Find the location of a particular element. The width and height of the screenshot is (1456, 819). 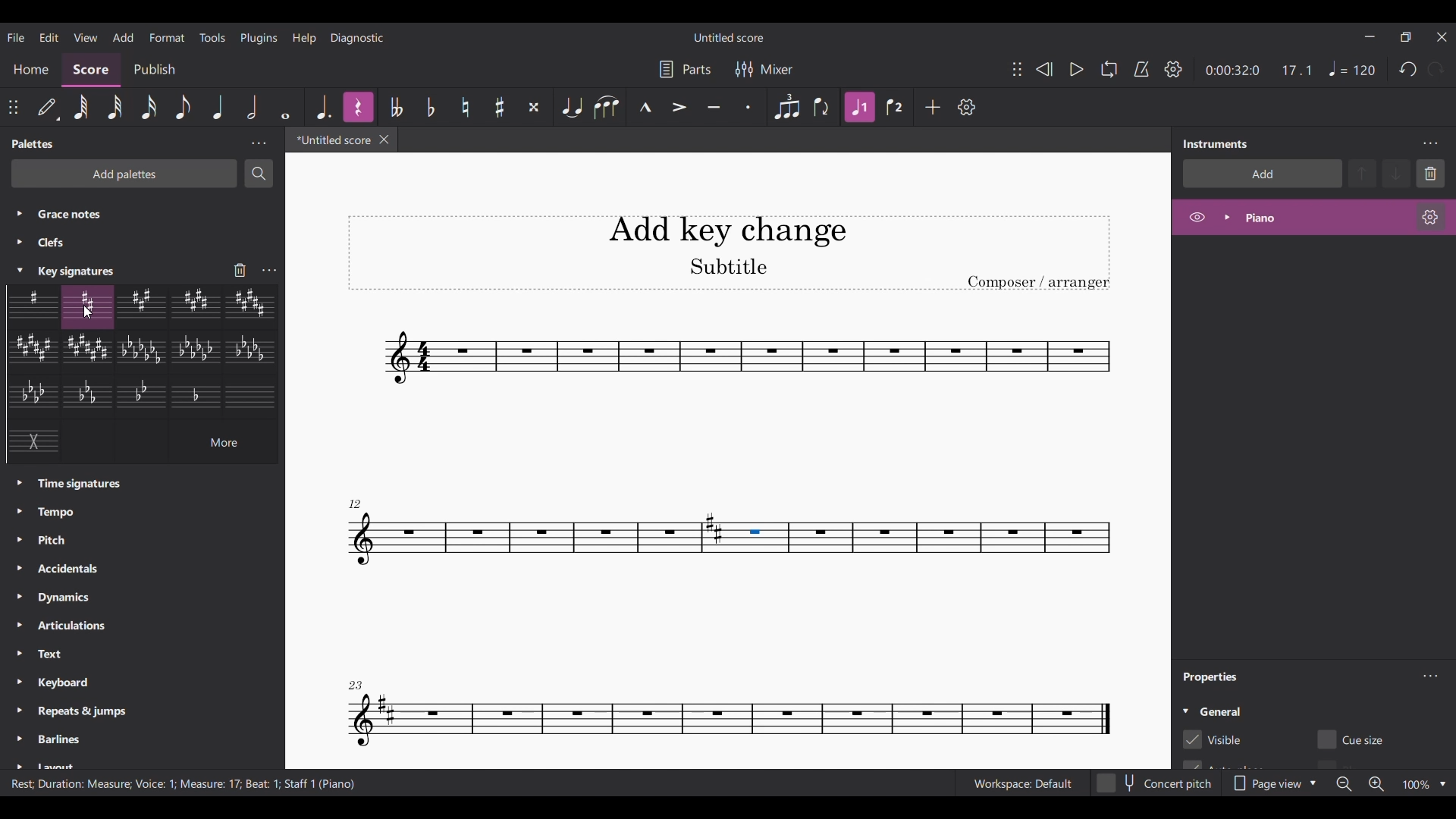

Current selection highlighted is located at coordinates (20, 270).